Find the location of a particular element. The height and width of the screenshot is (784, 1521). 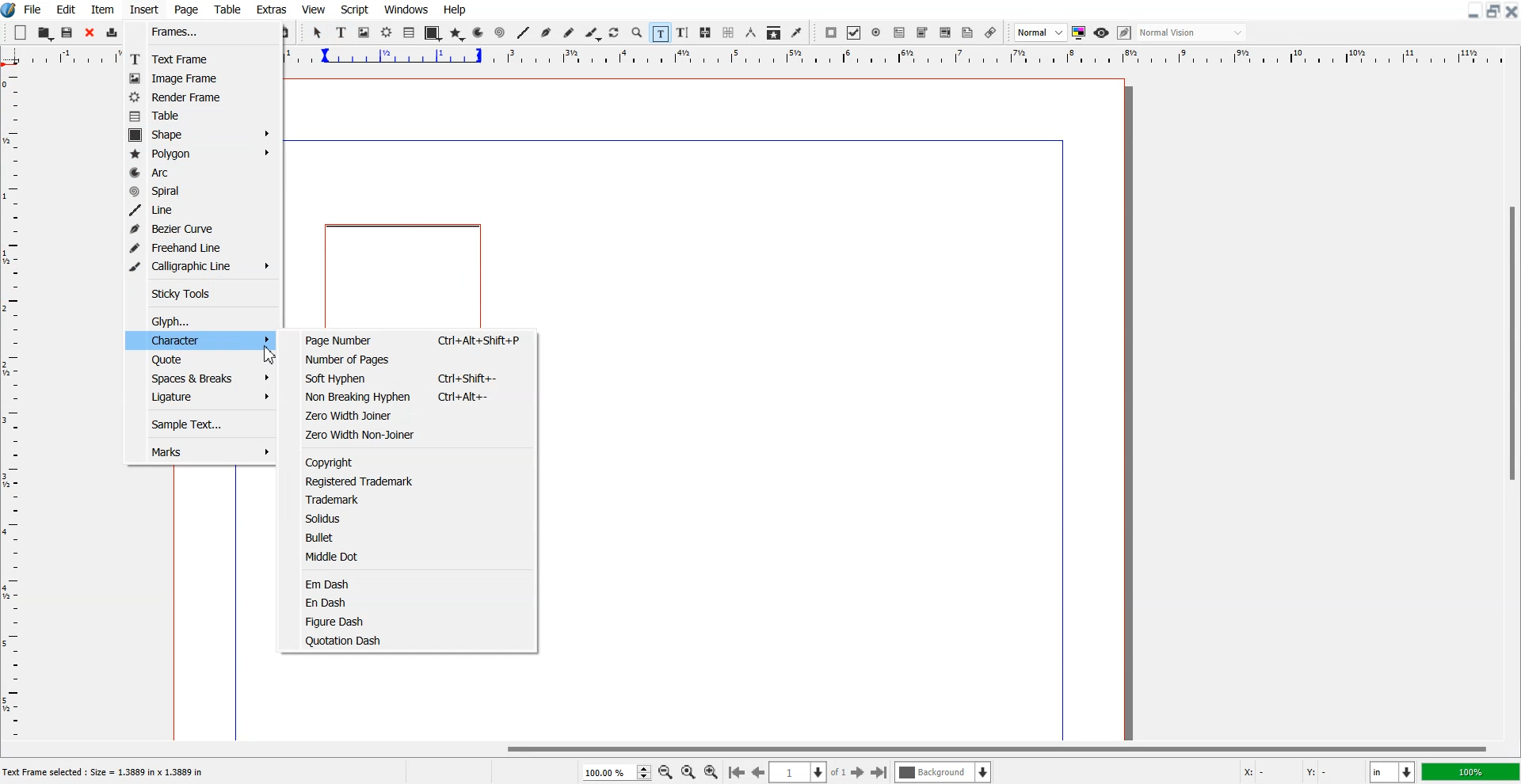

Close is located at coordinates (1511, 10).